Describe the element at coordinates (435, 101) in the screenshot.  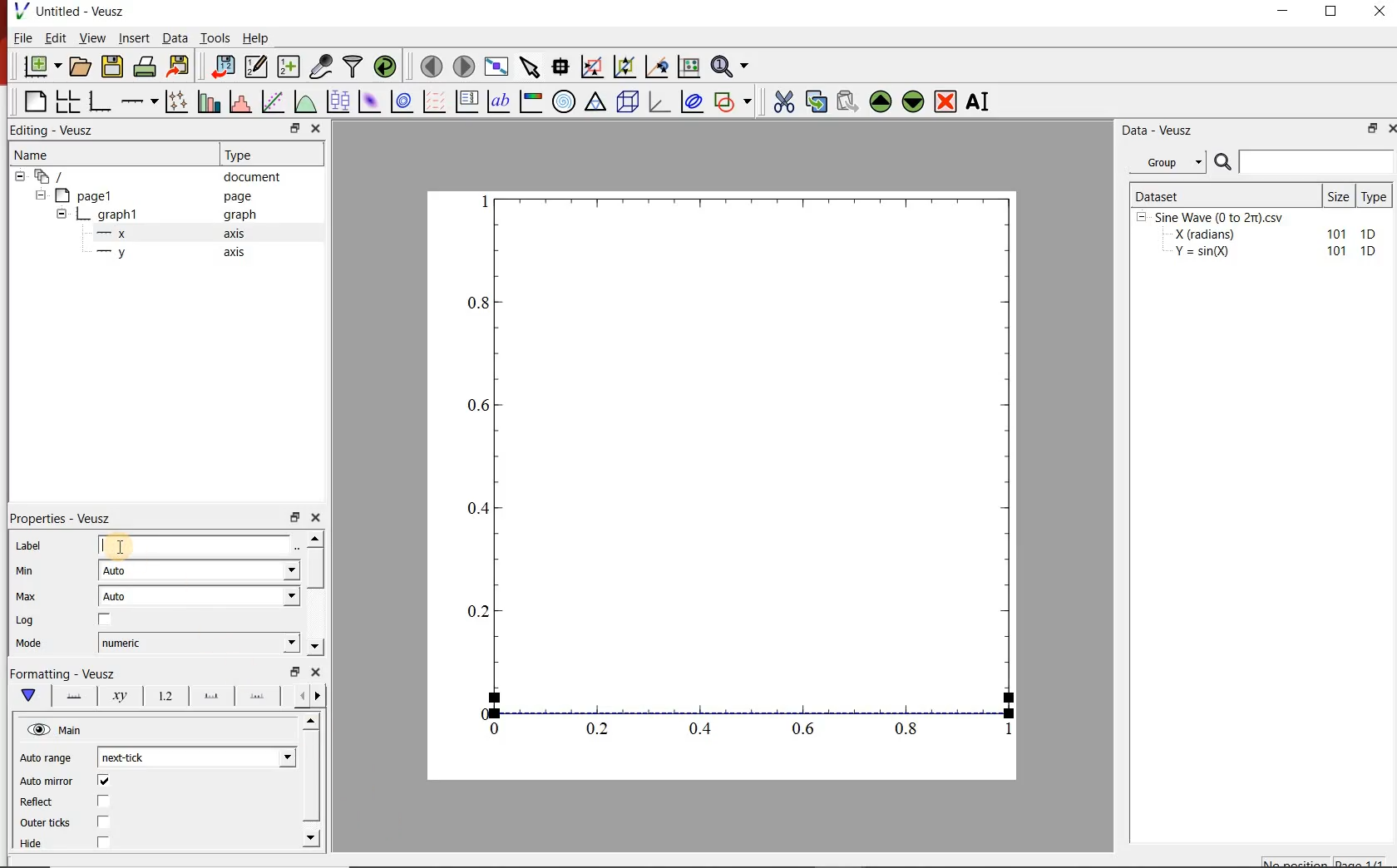
I see `plot a vector field` at that location.